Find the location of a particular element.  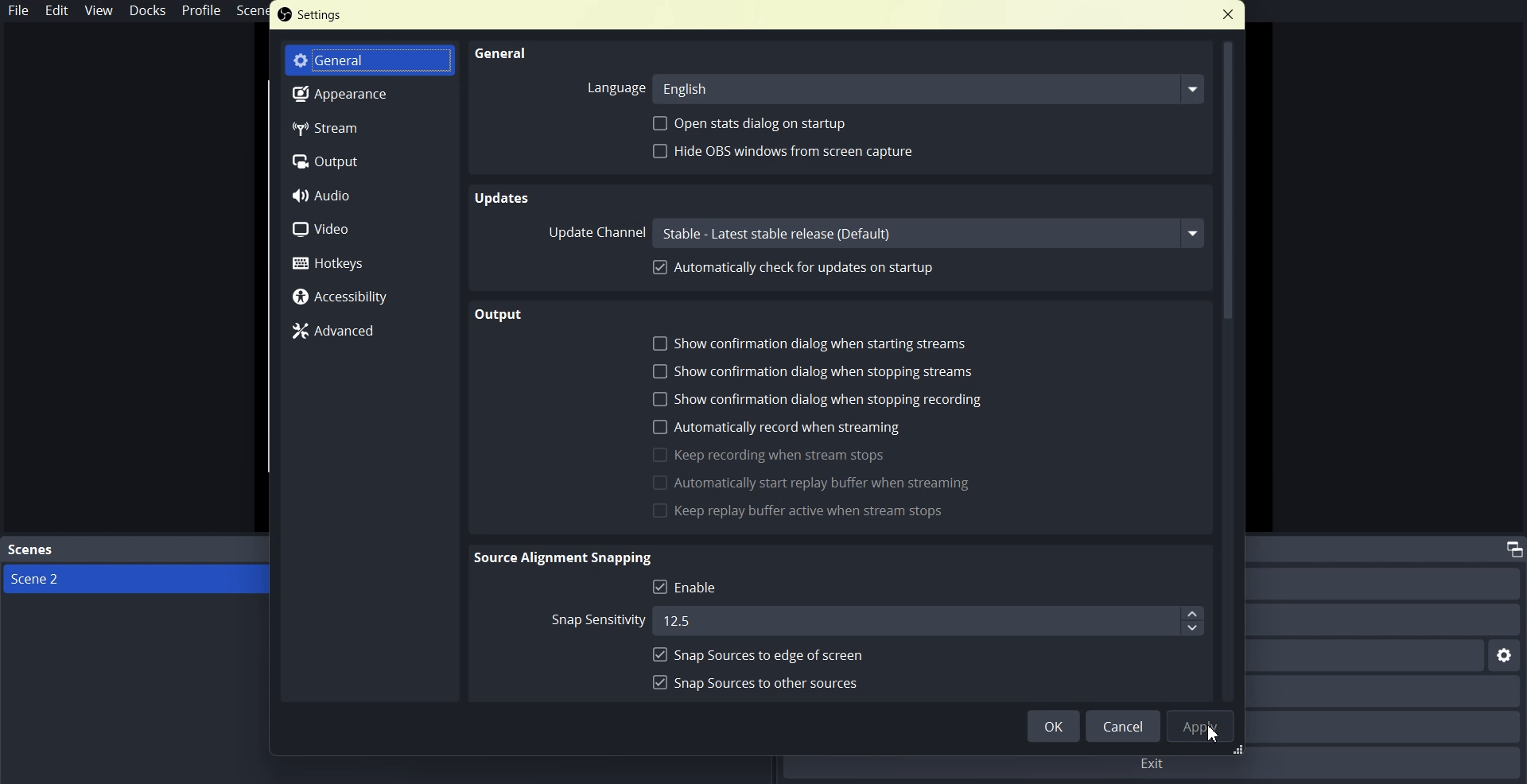

Enable is located at coordinates (689, 587).